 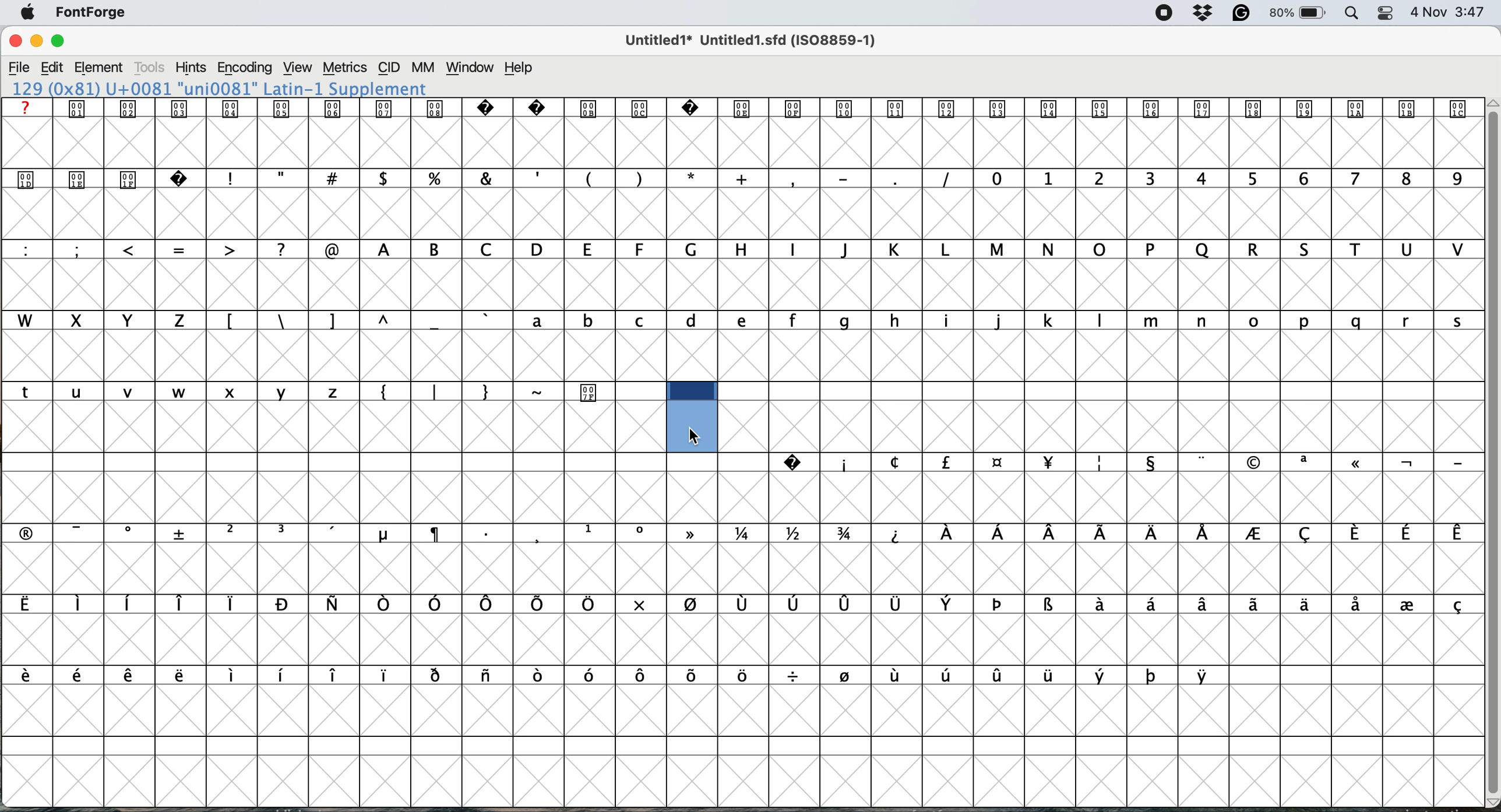 What do you see at coordinates (1164, 13) in the screenshot?
I see `Screen Recording Indicator` at bounding box center [1164, 13].